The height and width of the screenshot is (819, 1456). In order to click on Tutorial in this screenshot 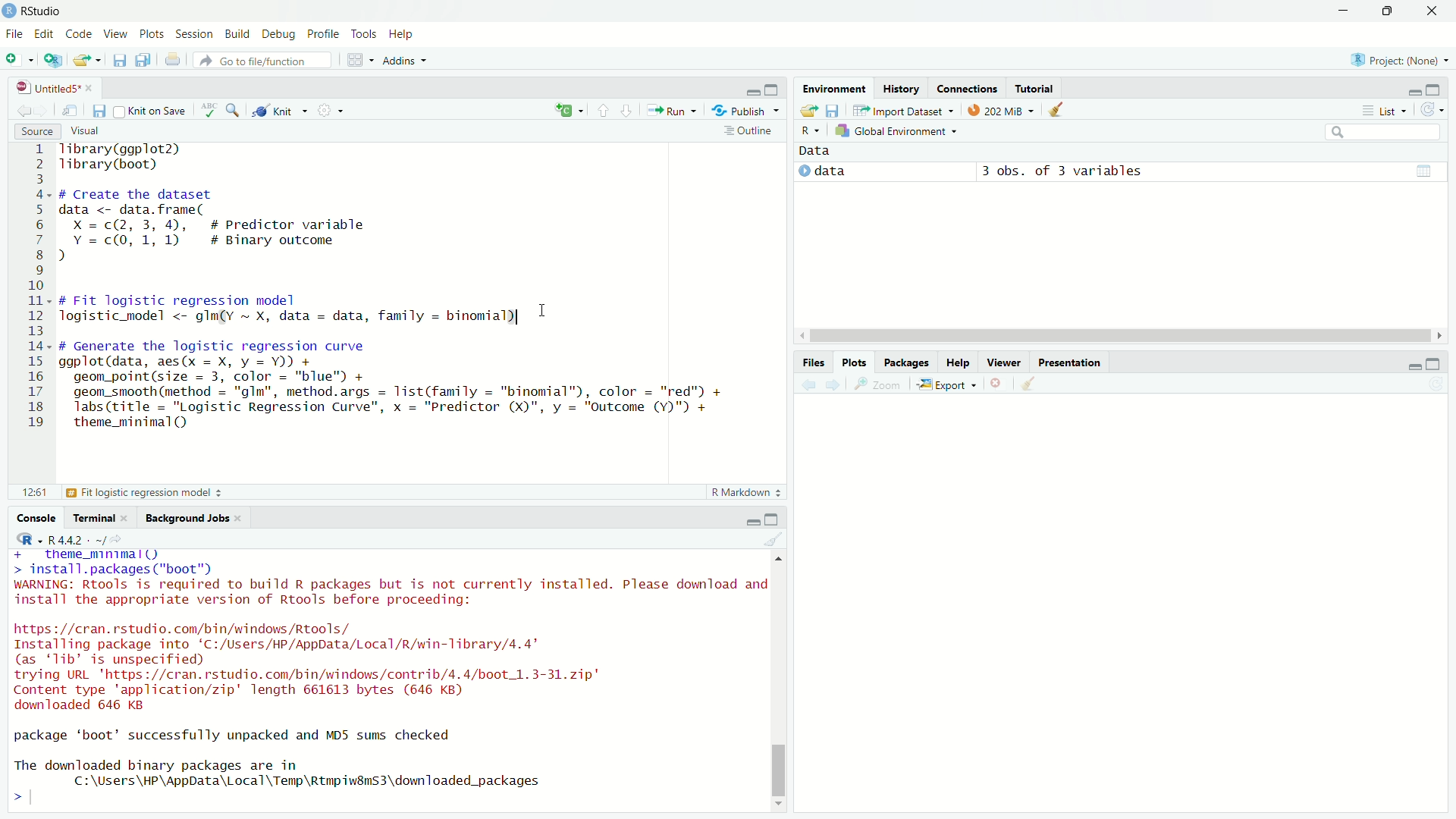, I will do `click(1035, 87)`.